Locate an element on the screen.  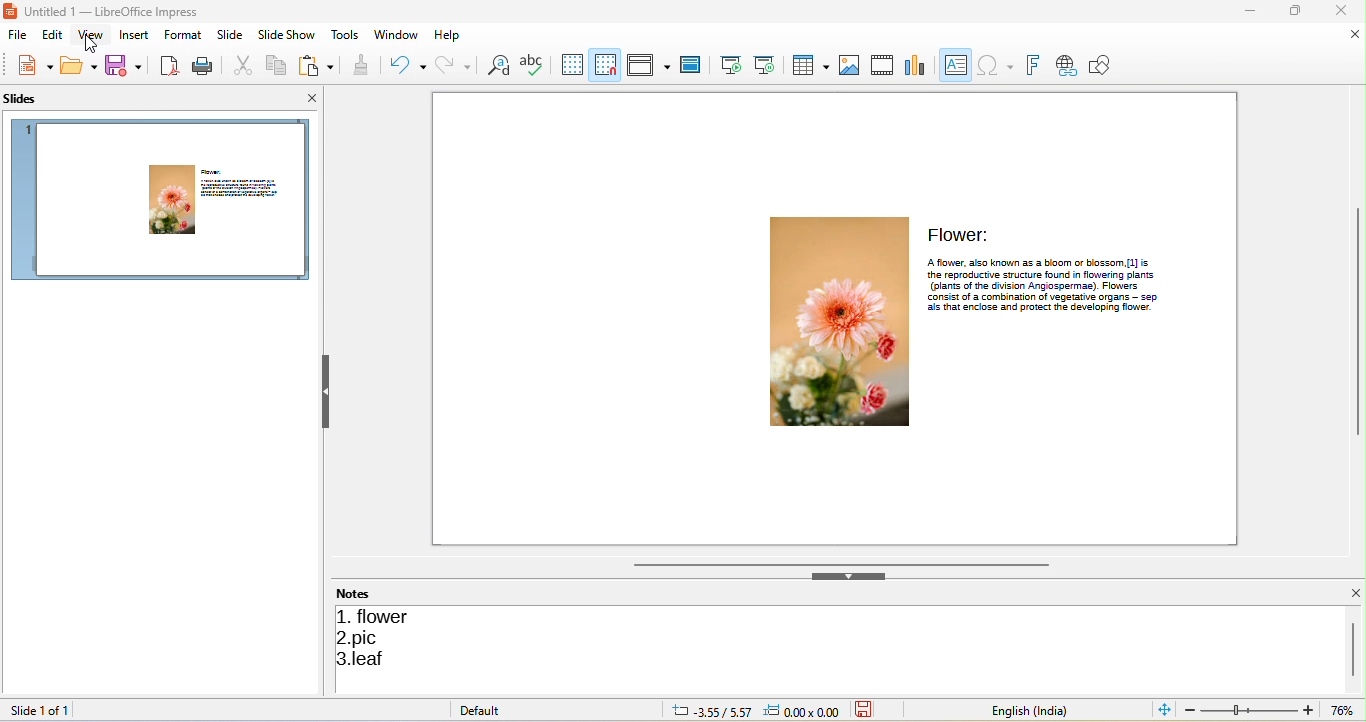
find and replace is located at coordinates (497, 65).